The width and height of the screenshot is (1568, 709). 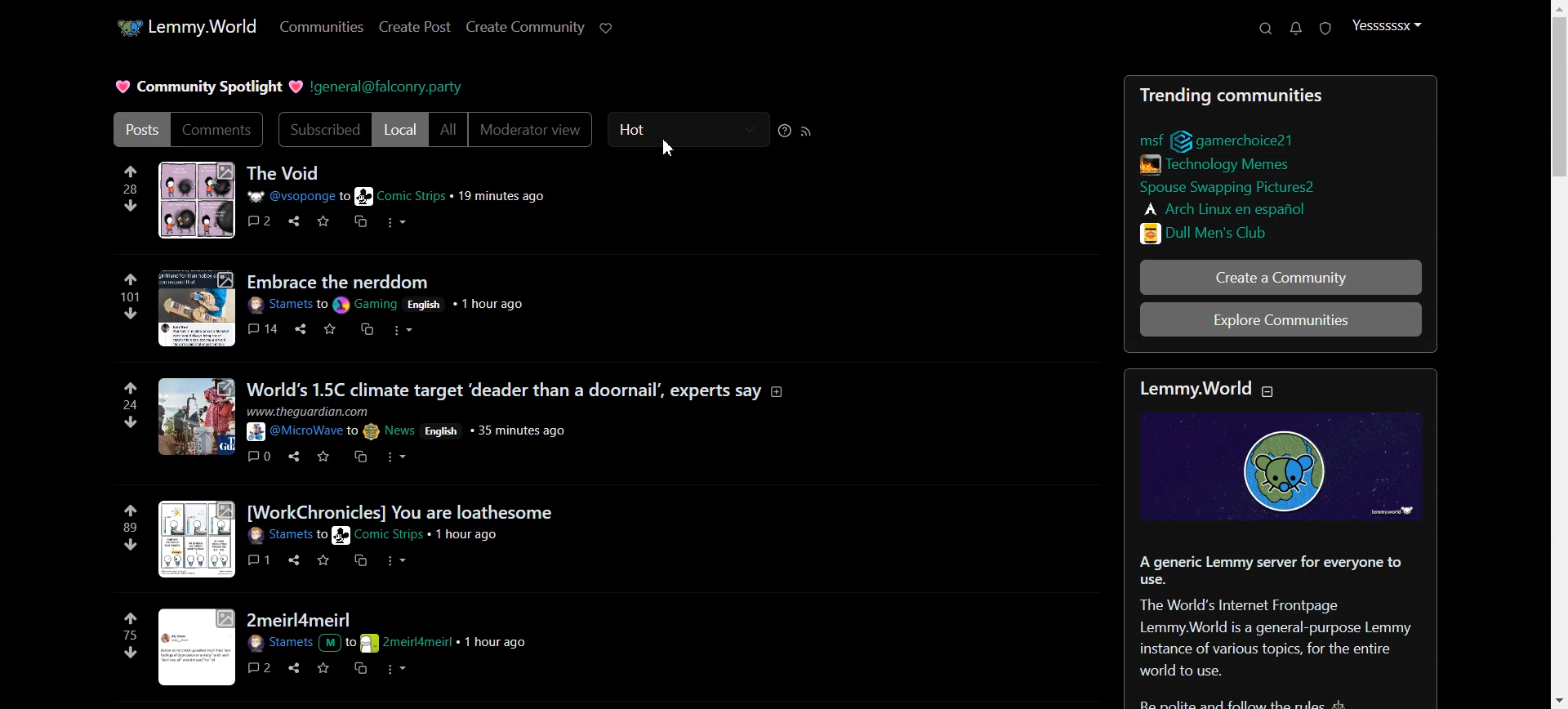 I want to click on Moderator view, so click(x=532, y=131).